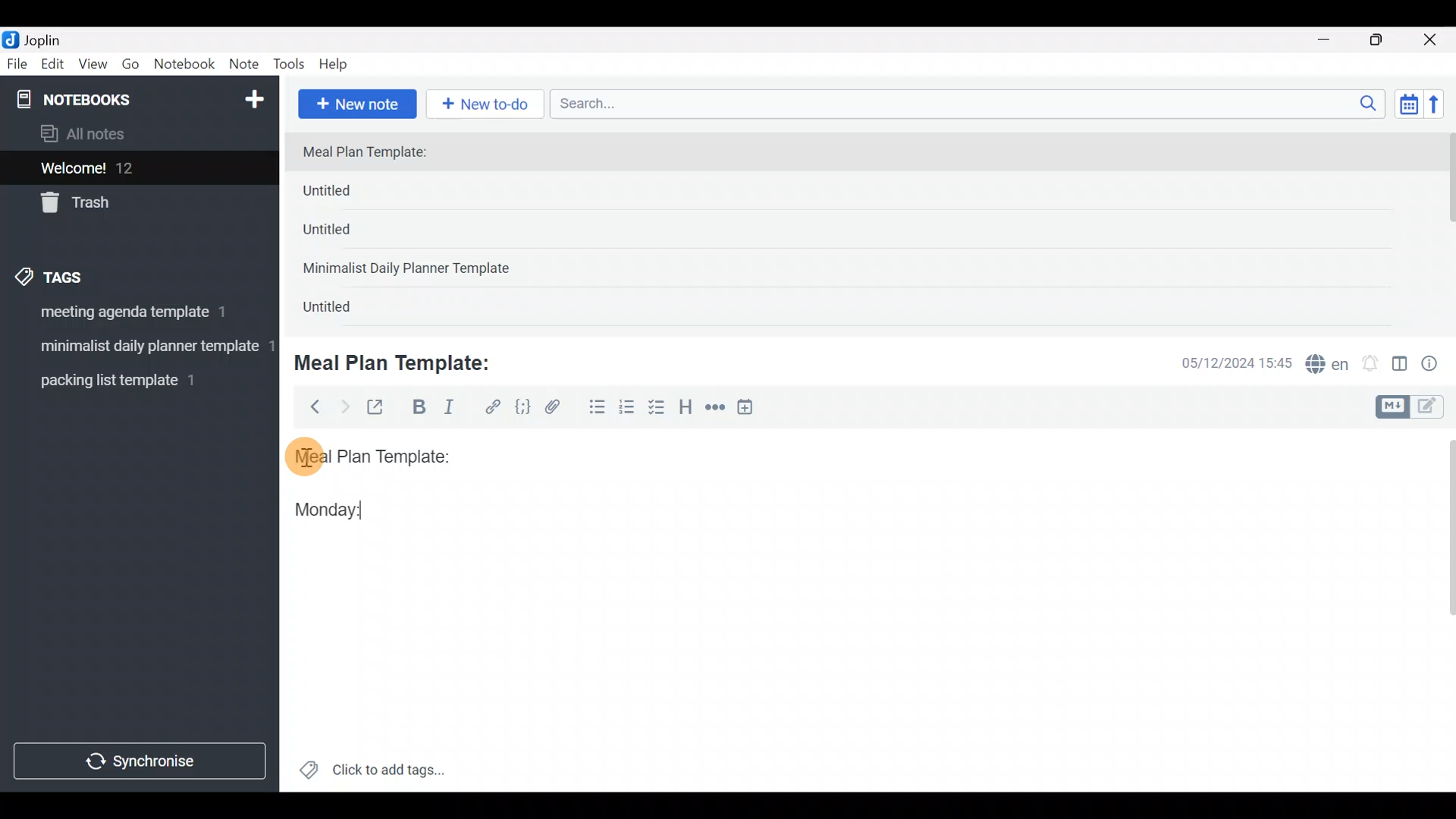  I want to click on Note properties, so click(1436, 365).